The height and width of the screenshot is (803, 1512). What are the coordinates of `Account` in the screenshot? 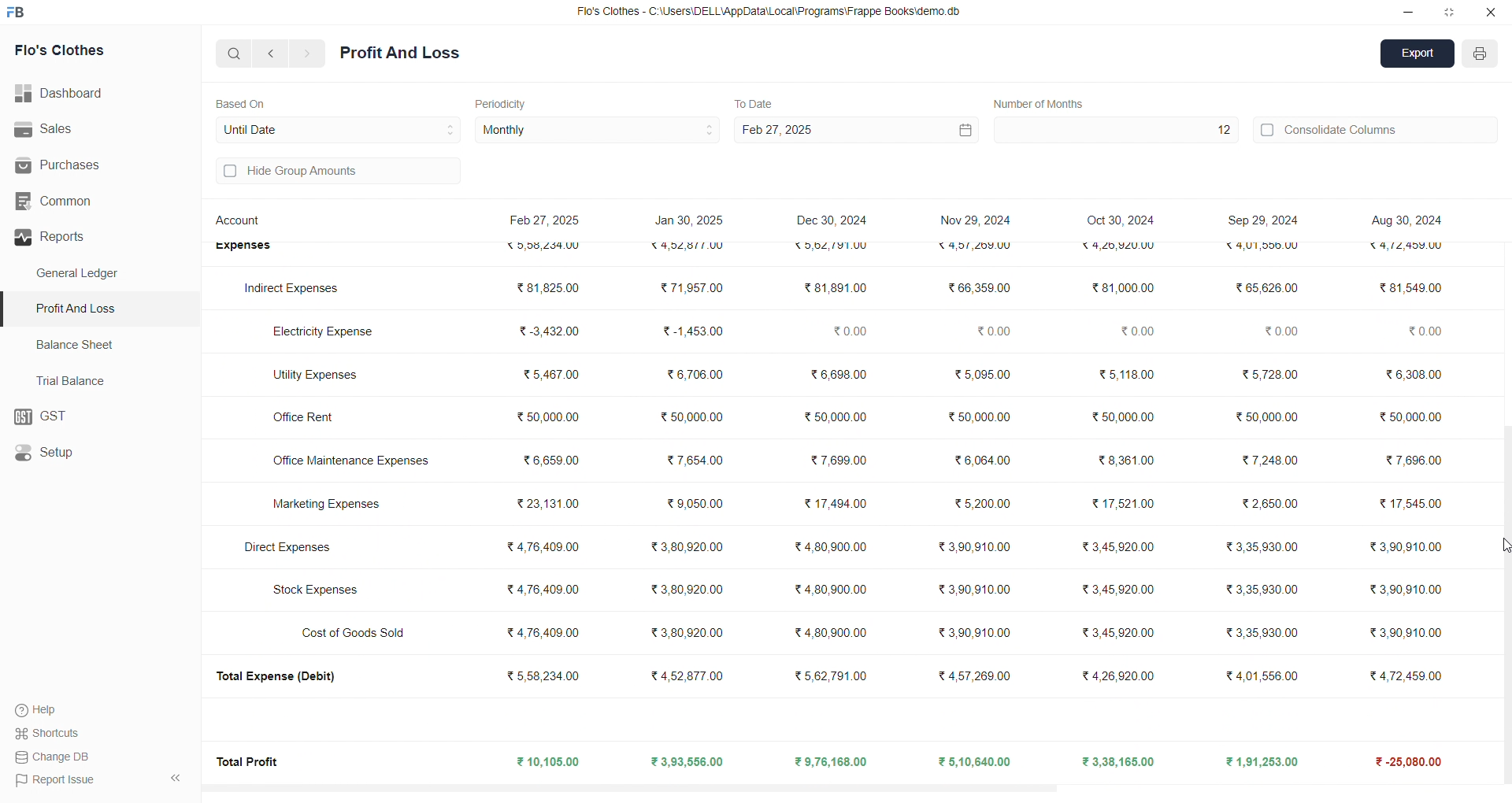 It's located at (242, 223).